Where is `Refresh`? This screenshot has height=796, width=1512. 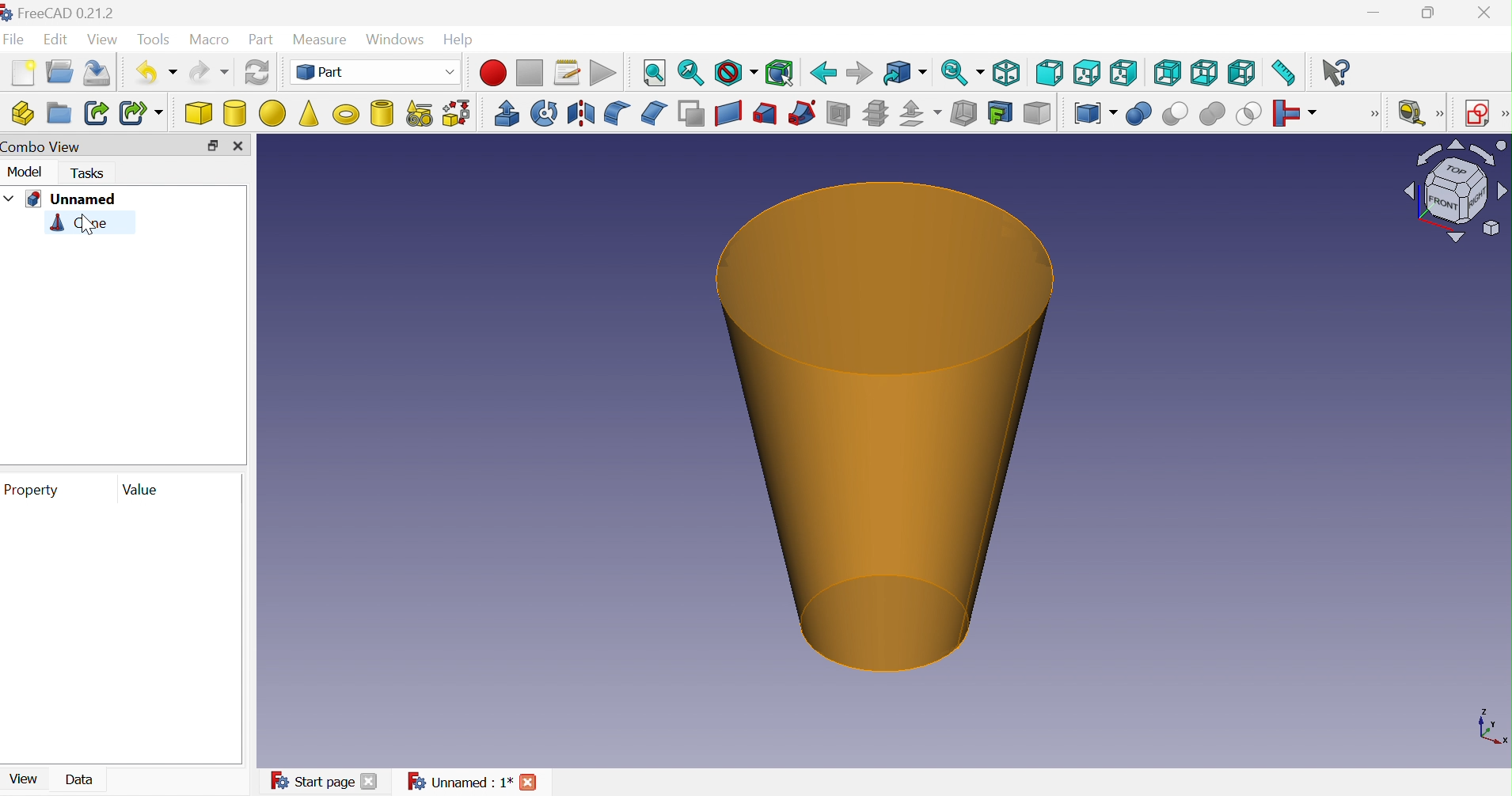
Refresh is located at coordinates (257, 74).